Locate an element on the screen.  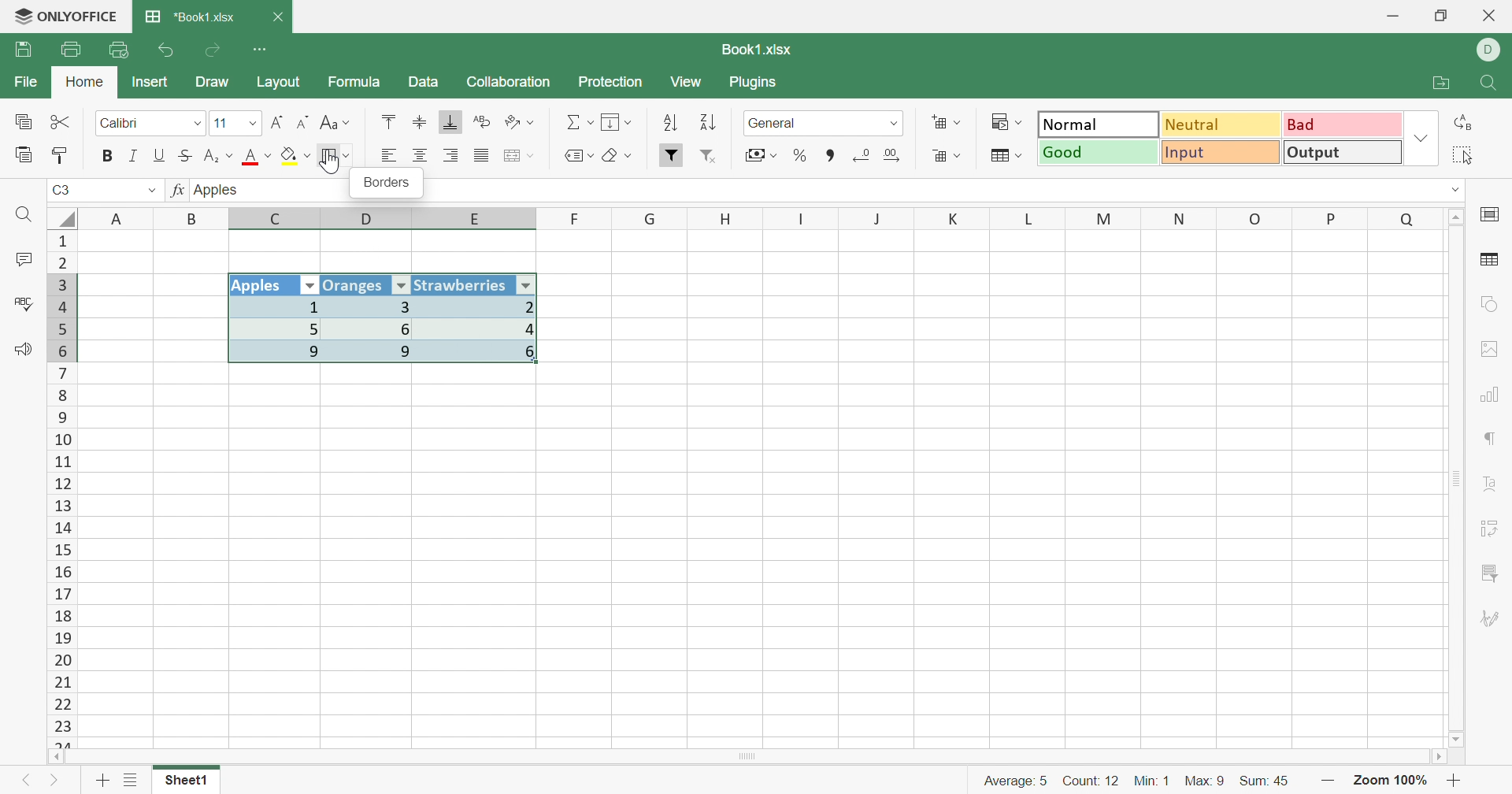
Print is located at coordinates (70, 50).